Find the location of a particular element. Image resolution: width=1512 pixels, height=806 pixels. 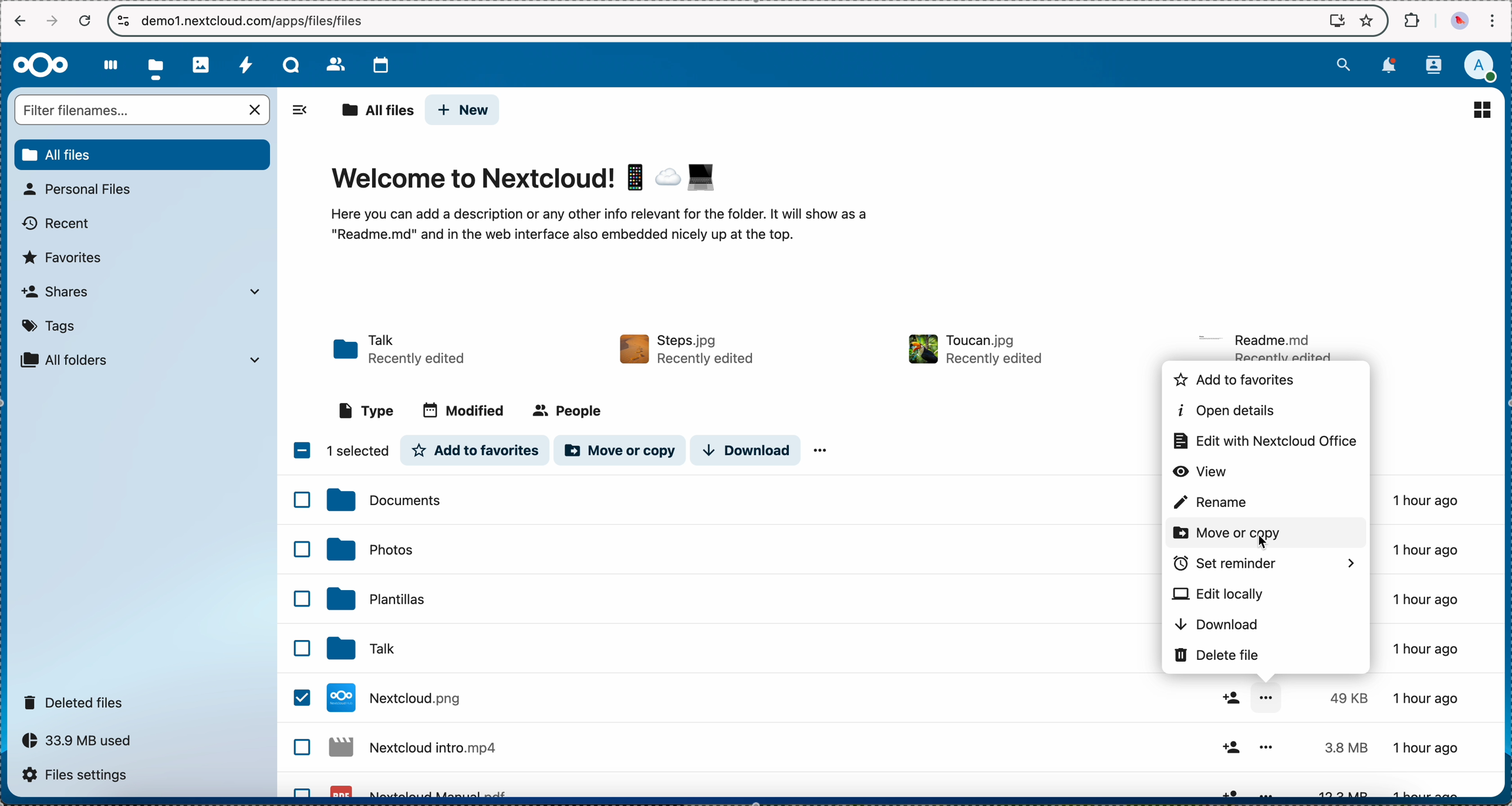

new button is located at coordinates (464, 109).